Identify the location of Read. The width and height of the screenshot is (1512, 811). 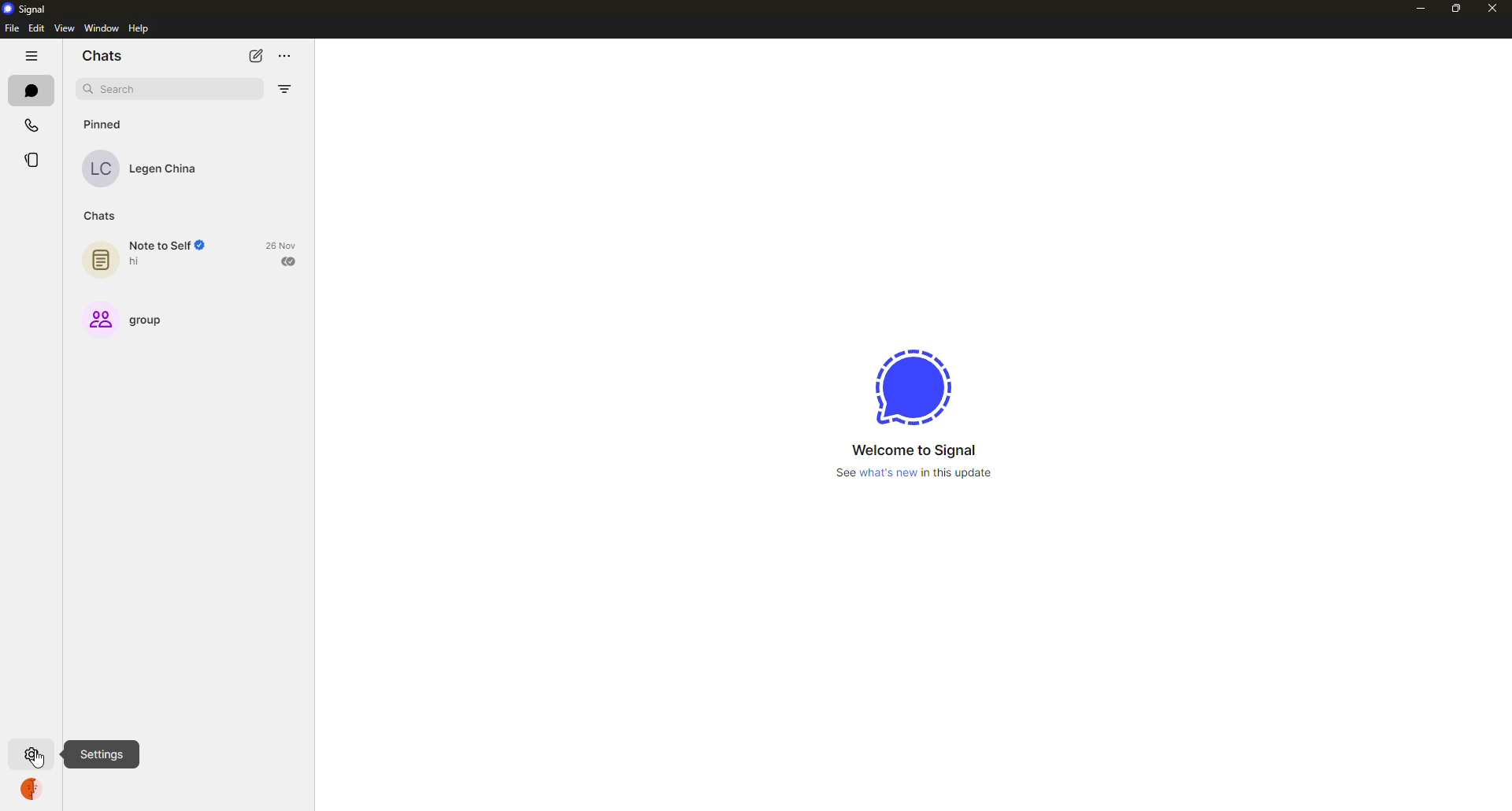
(291, 262).